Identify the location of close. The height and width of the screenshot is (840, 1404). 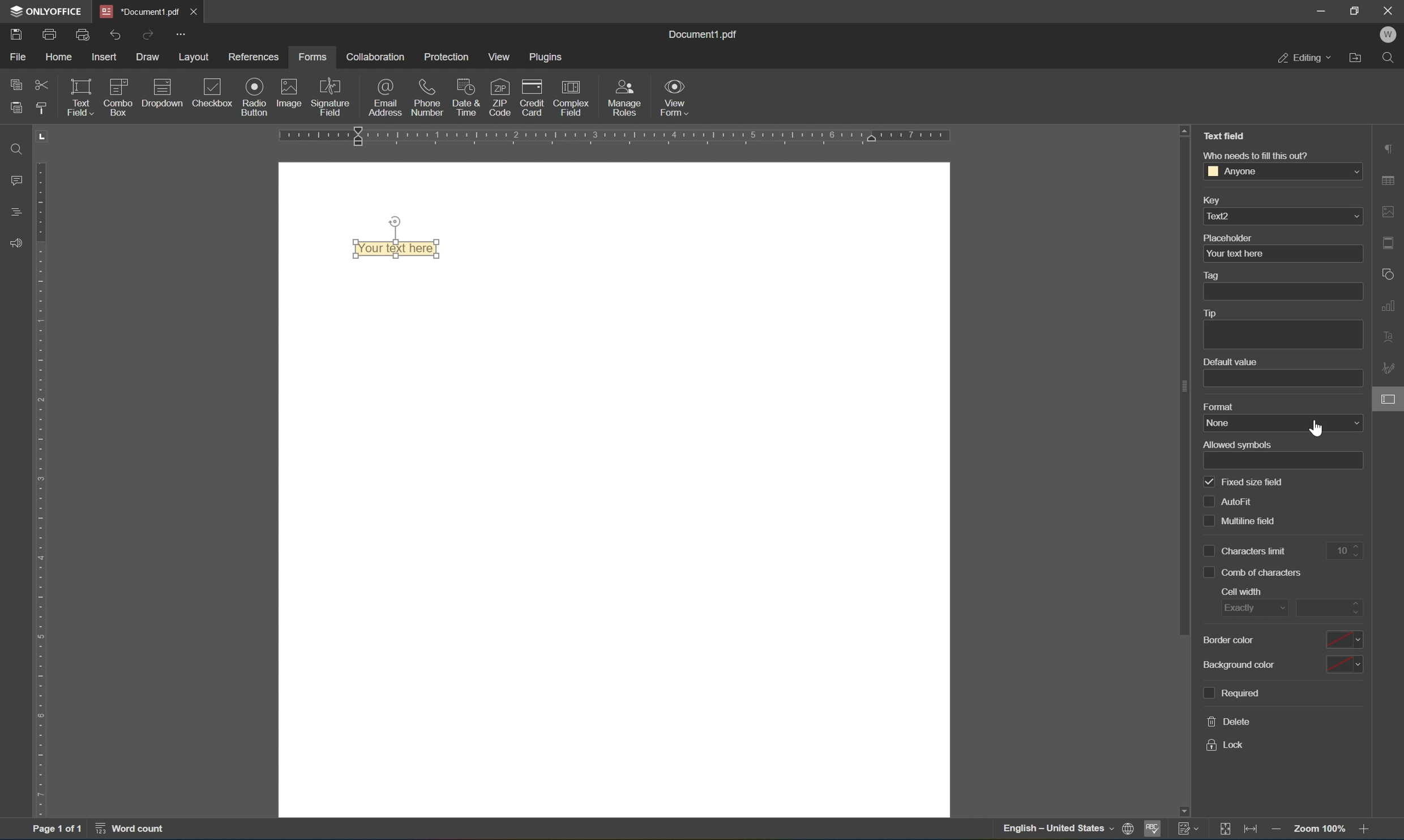
(191, 10).